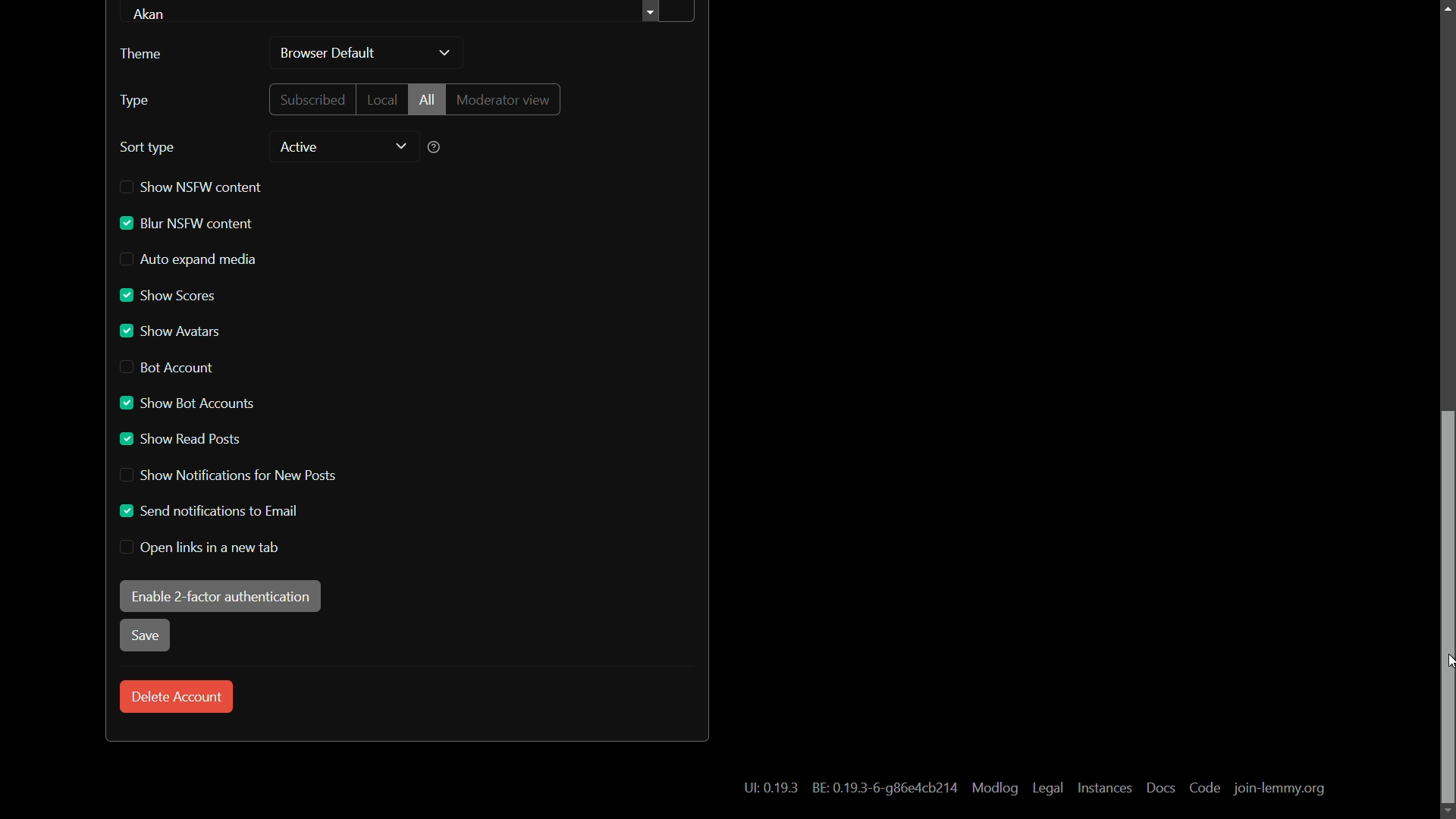 The width and height of the screenshot is (1456, 819). Describe the element at coordinates (171, 331) in the screenshot. I see `show avatars` at that location.